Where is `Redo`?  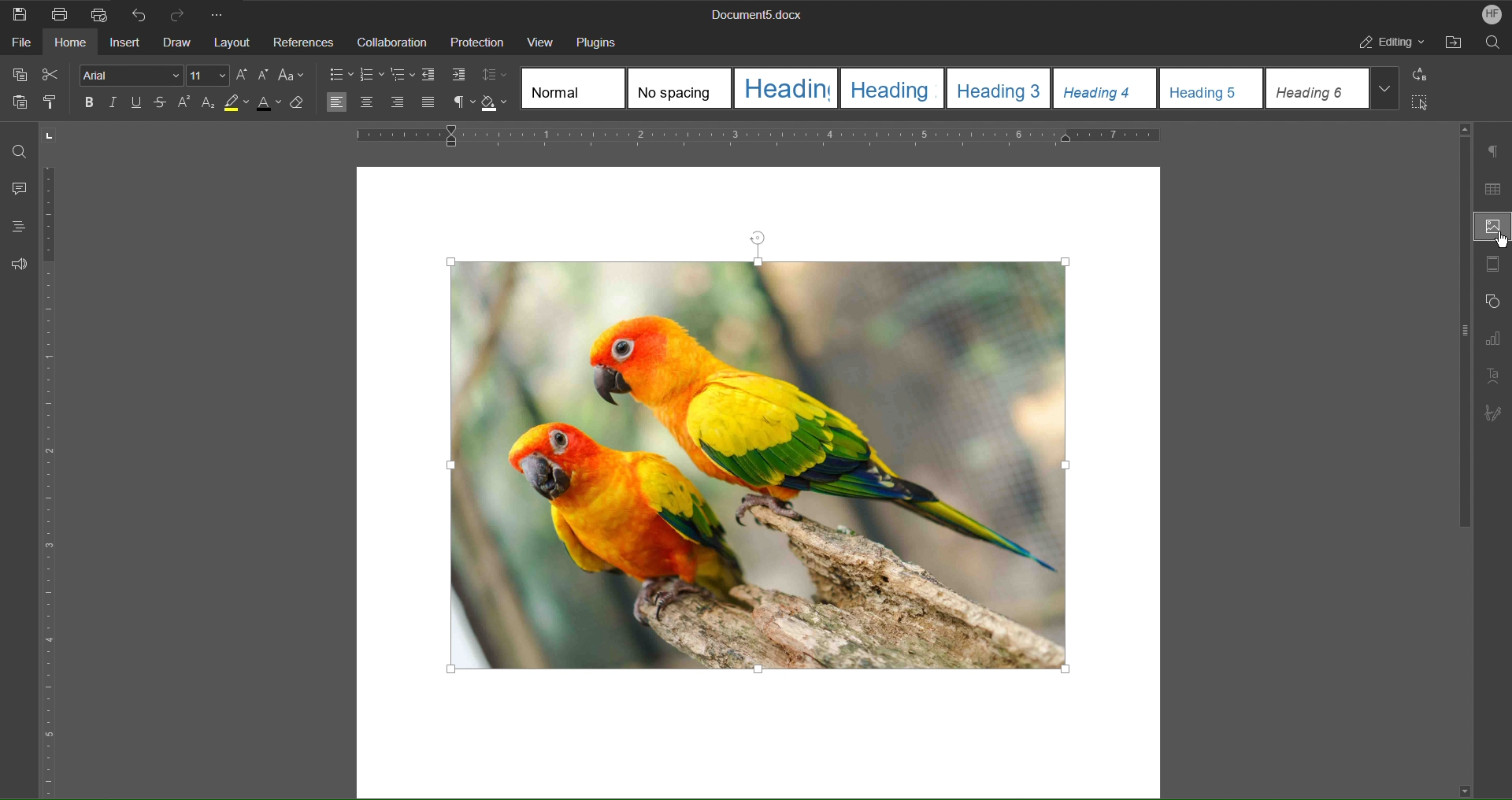
Redo is located at coordinates (183, 13).